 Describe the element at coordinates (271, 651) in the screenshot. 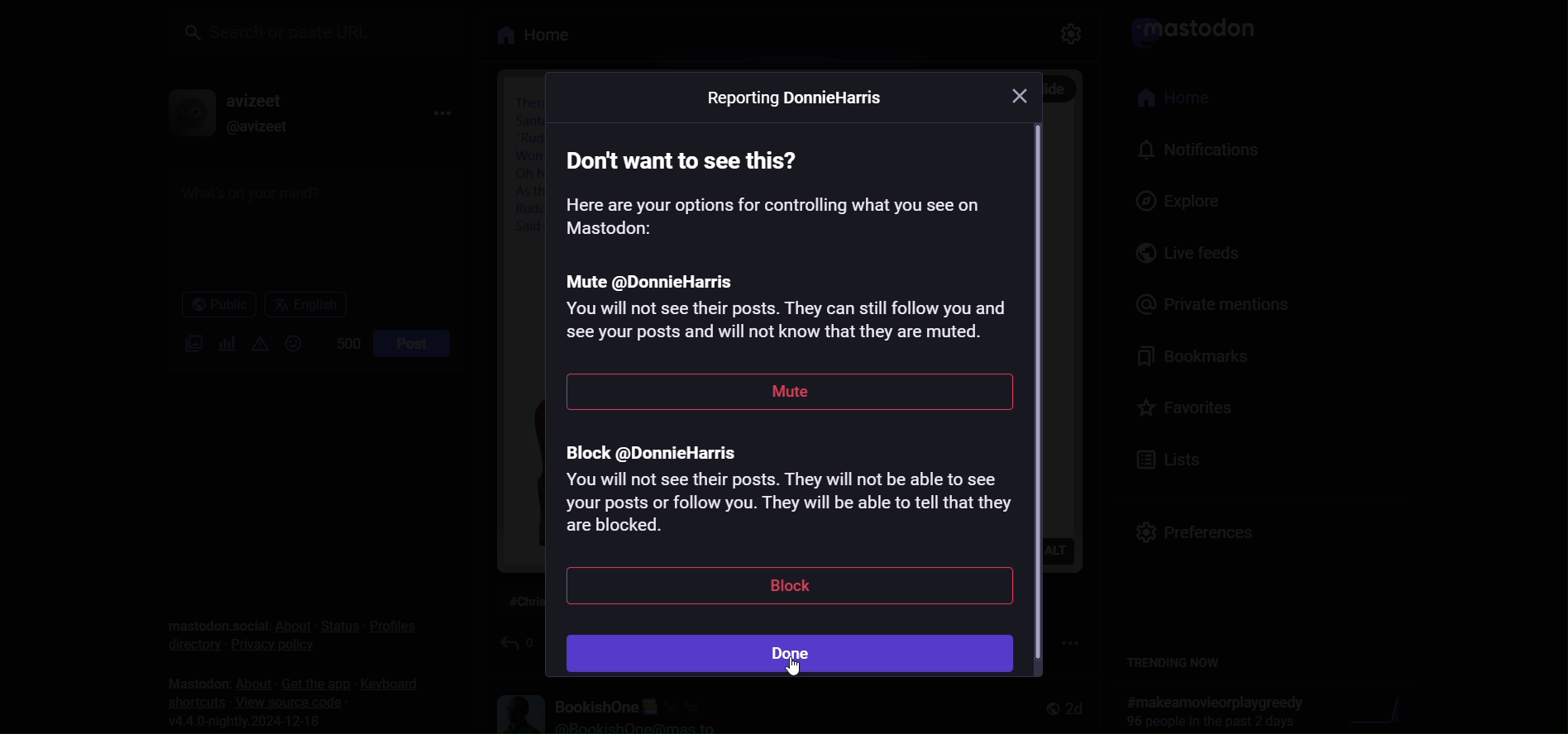

I see `privacy policy` at that location.